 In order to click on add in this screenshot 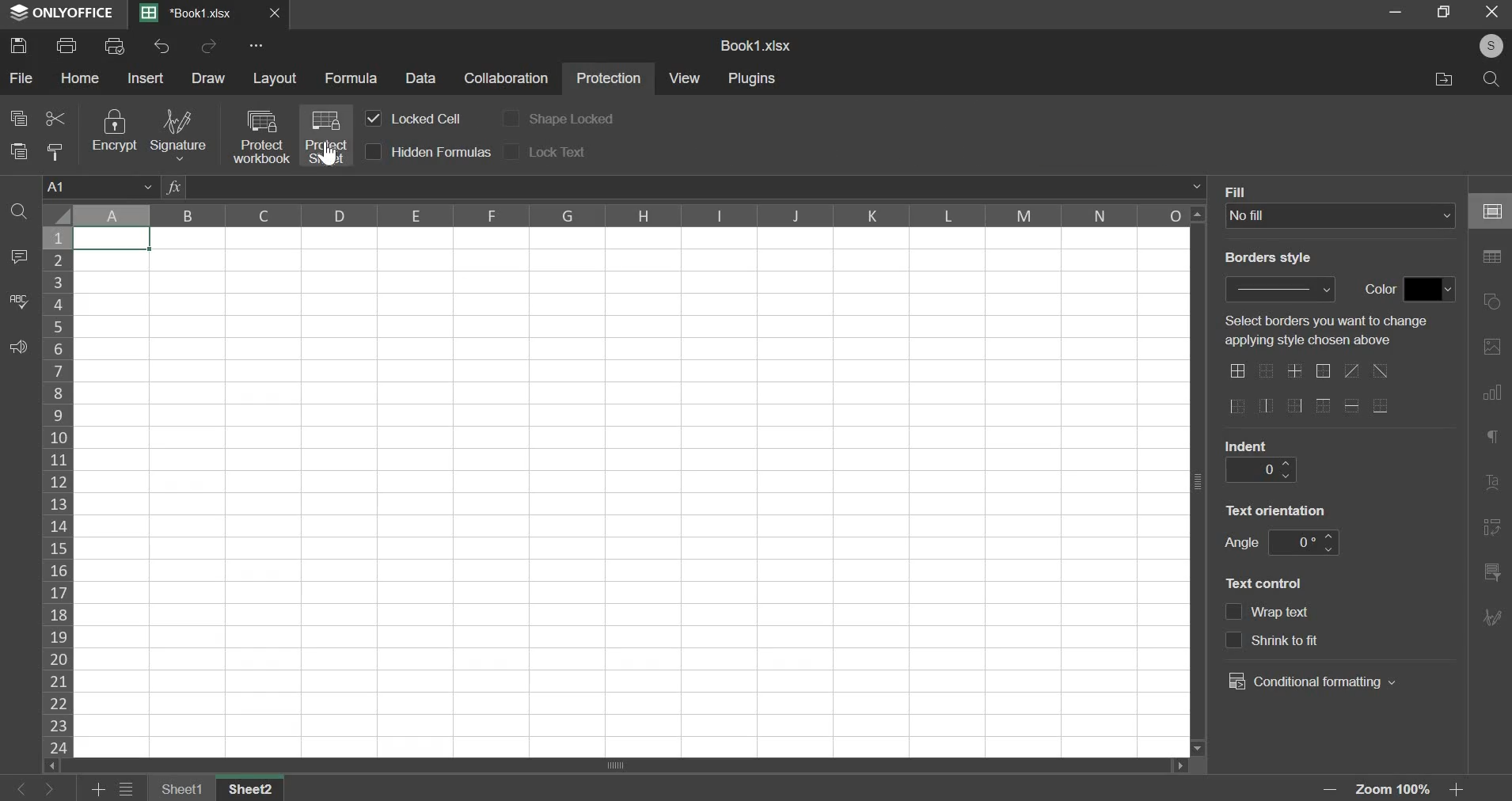, I will do `click(100, 790)`.